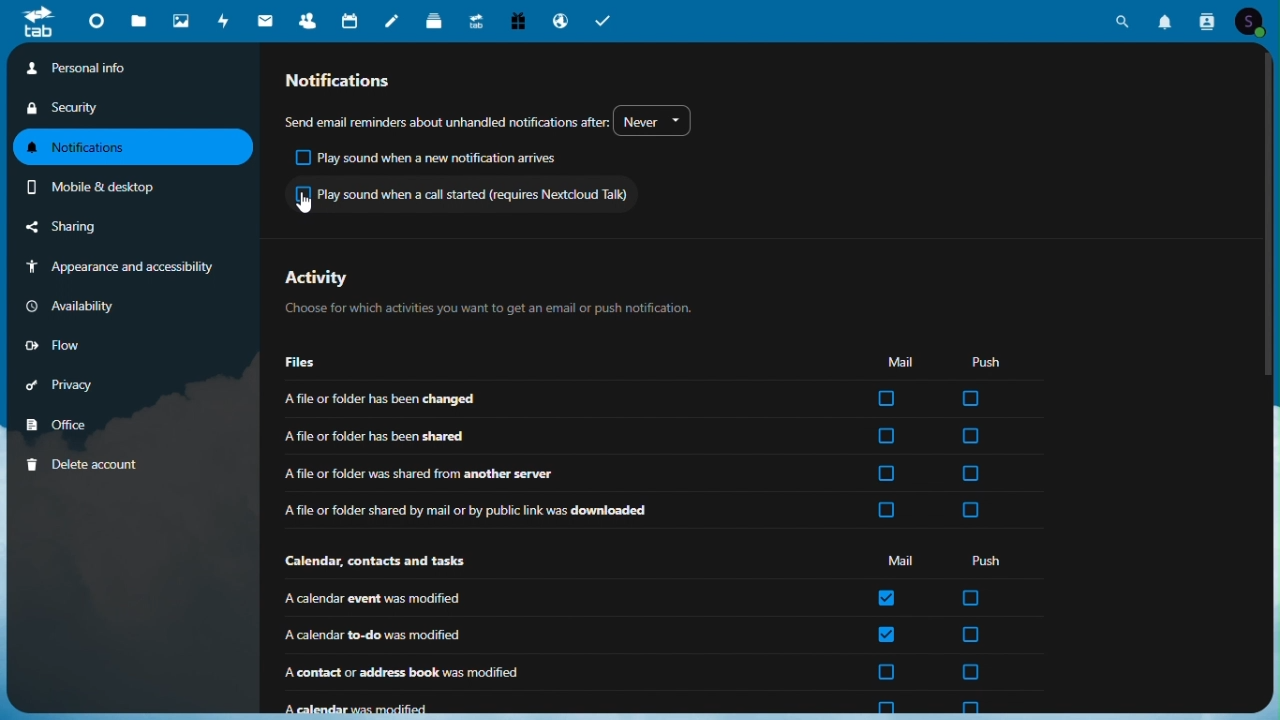 The image size is (1280, 720). I want to click on Sharing, so click(85, 228).